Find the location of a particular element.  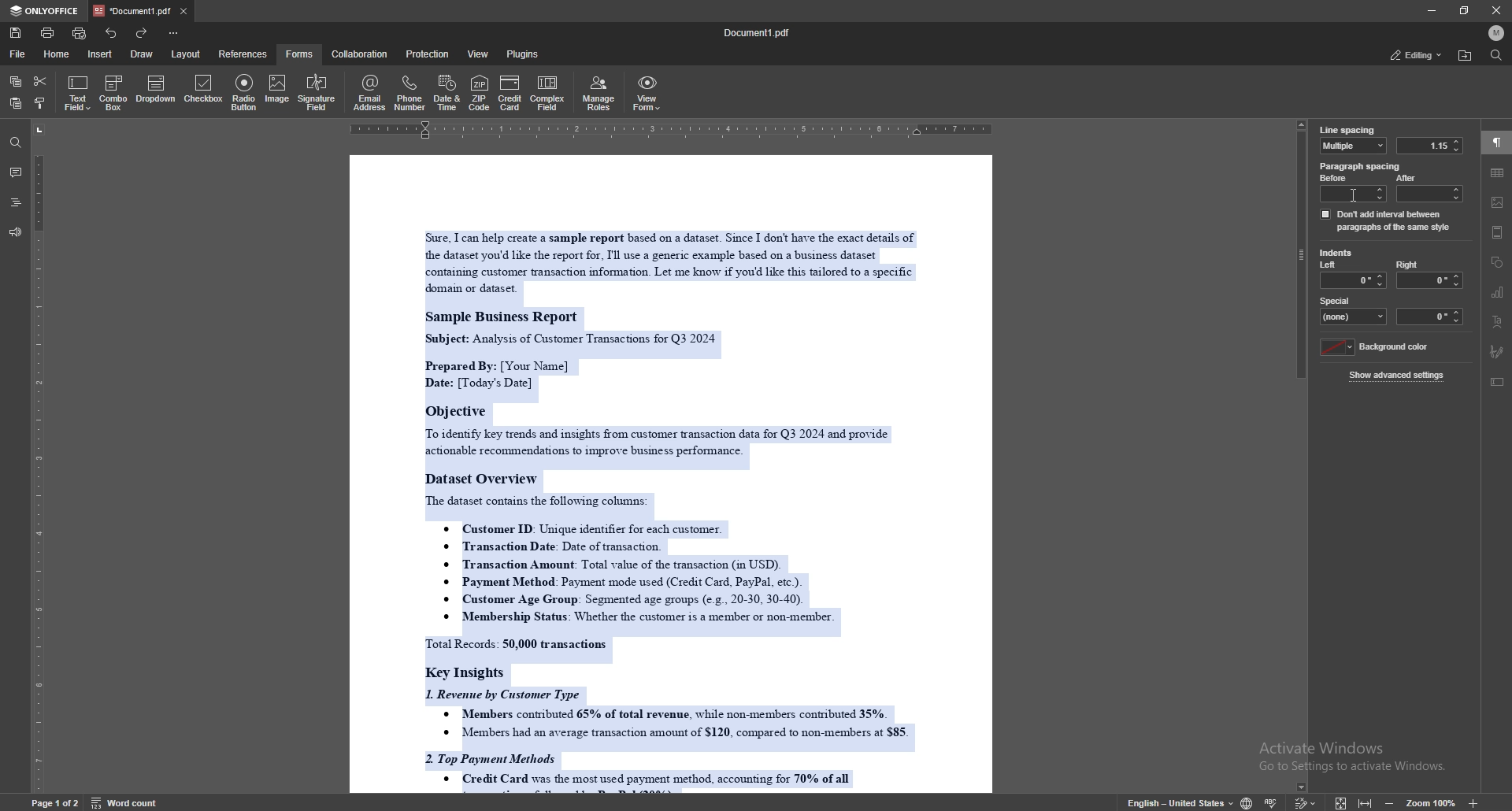

change doc language is located at coordinates (1247, 802).